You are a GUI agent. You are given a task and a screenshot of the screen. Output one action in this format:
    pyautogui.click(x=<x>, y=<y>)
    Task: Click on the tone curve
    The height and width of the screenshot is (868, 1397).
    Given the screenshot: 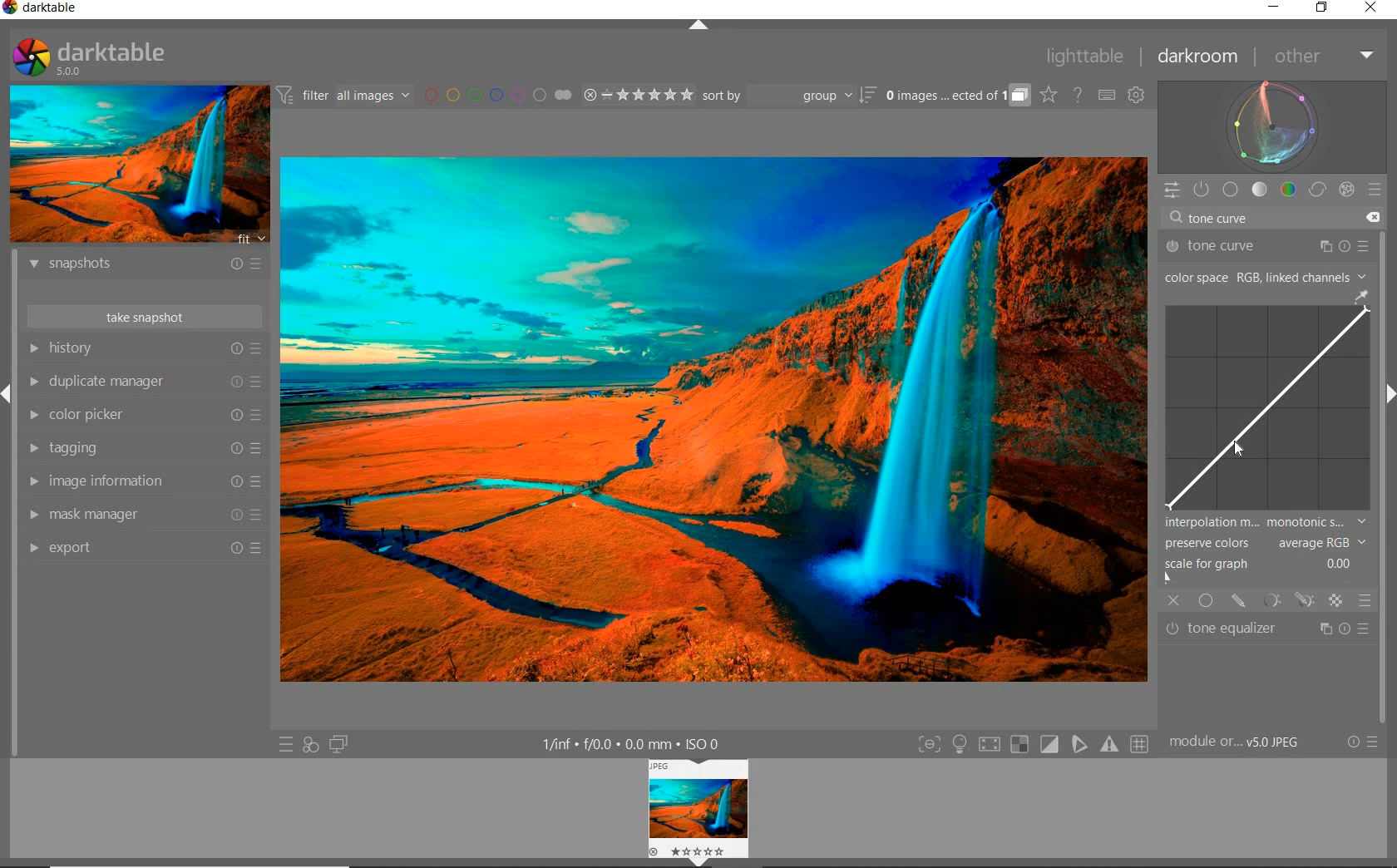 What is the action you would take?
    pyautogui.click(x=1267, y=220)
    